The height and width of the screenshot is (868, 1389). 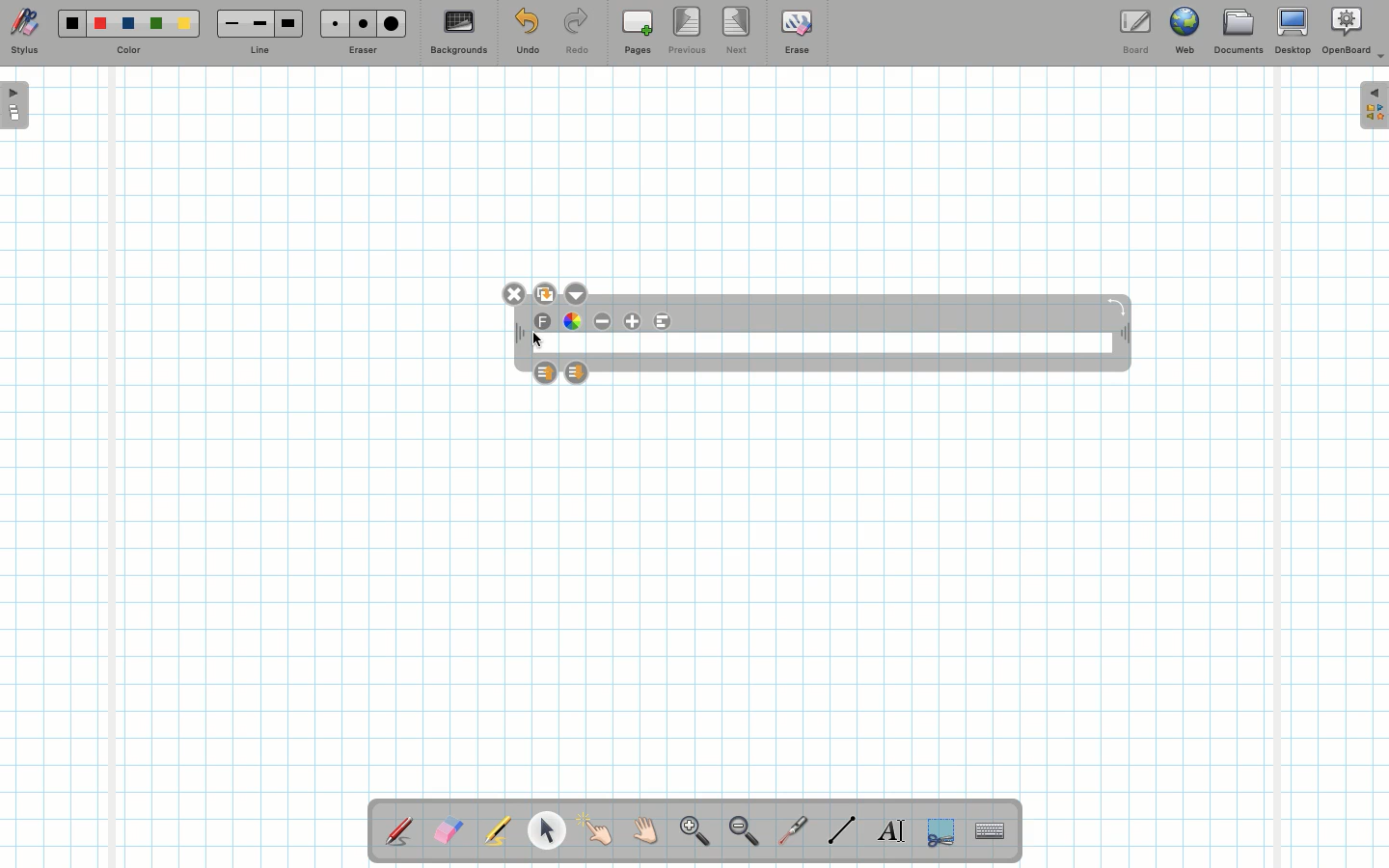 What do you see at coordinates (24, 32) in the screenshot?
I see `Stylus` at bounding box center [24, 32].